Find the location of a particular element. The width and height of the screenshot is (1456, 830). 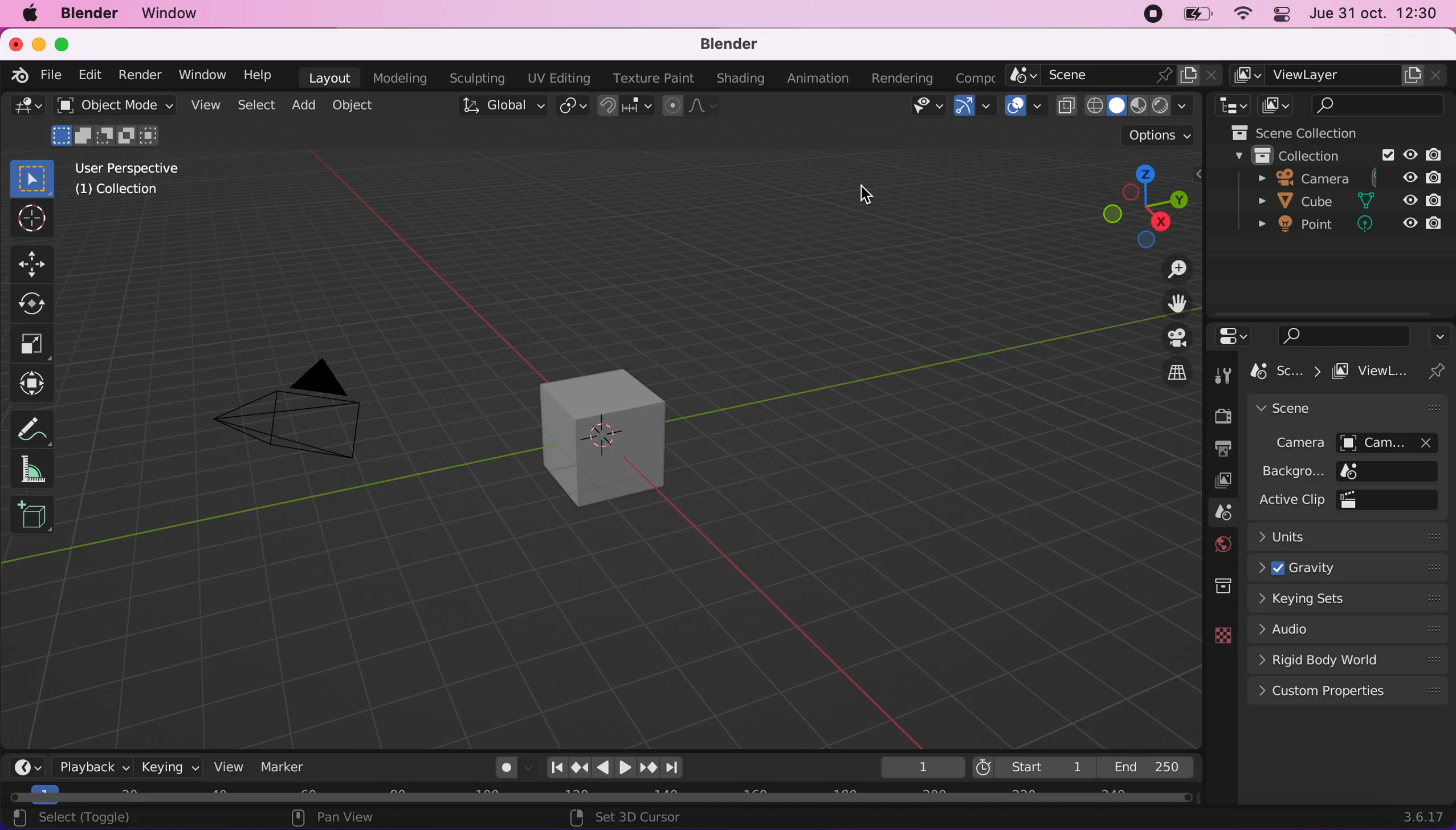

viewlayer is located at coordinates (1377, 372).